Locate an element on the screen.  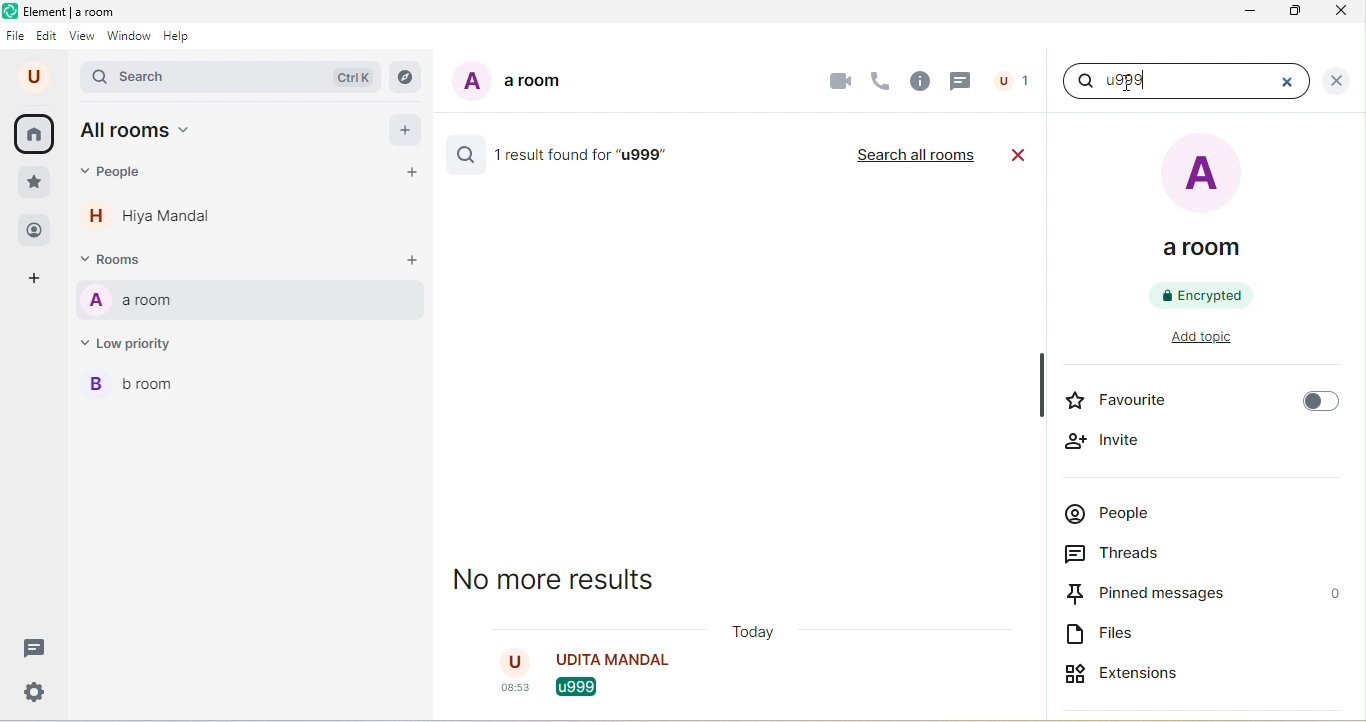
a room is located at coordinates (250, 302).